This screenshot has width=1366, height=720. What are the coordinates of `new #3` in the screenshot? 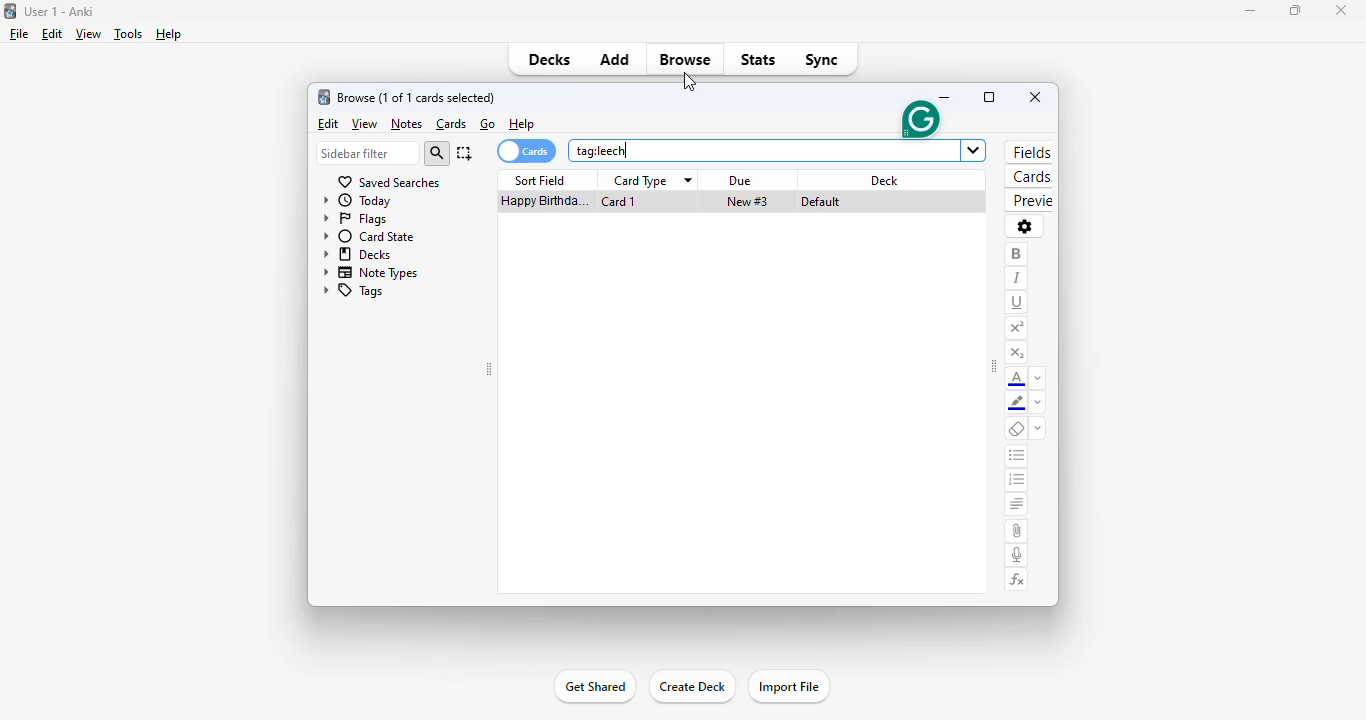 It's located at (749, 202).